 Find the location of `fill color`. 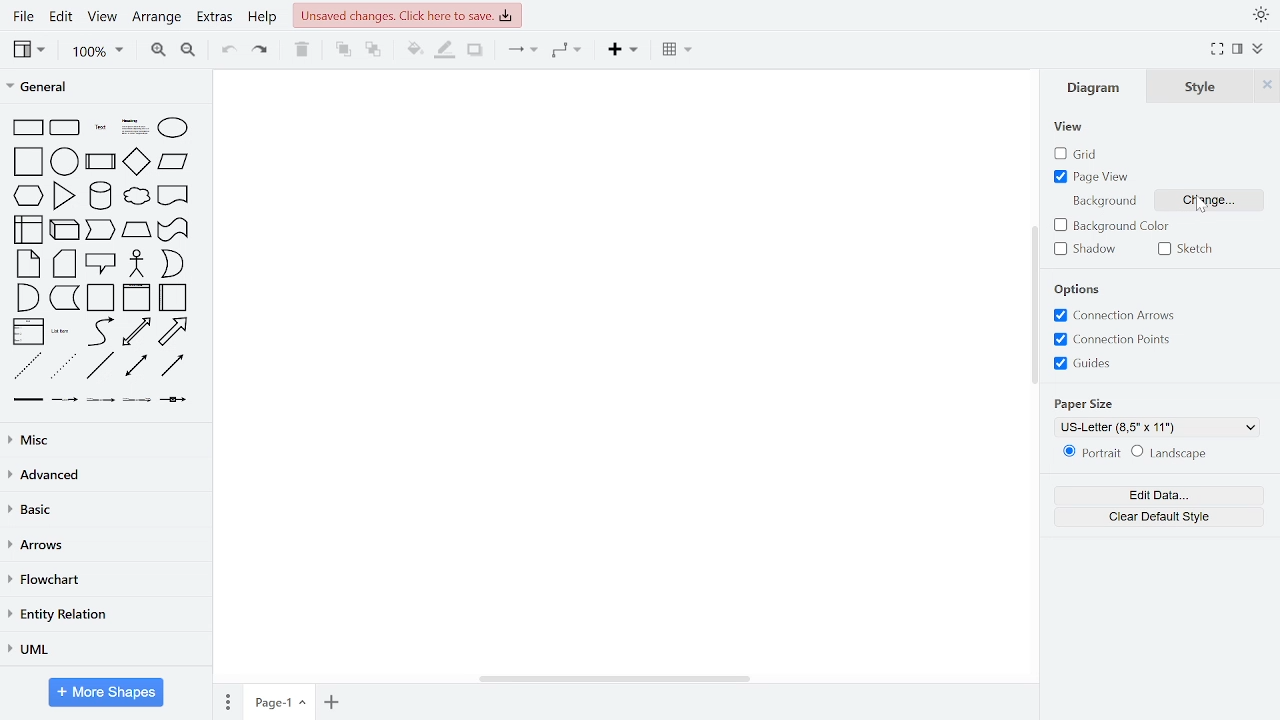

fill color is located at coordinates (412, 49).